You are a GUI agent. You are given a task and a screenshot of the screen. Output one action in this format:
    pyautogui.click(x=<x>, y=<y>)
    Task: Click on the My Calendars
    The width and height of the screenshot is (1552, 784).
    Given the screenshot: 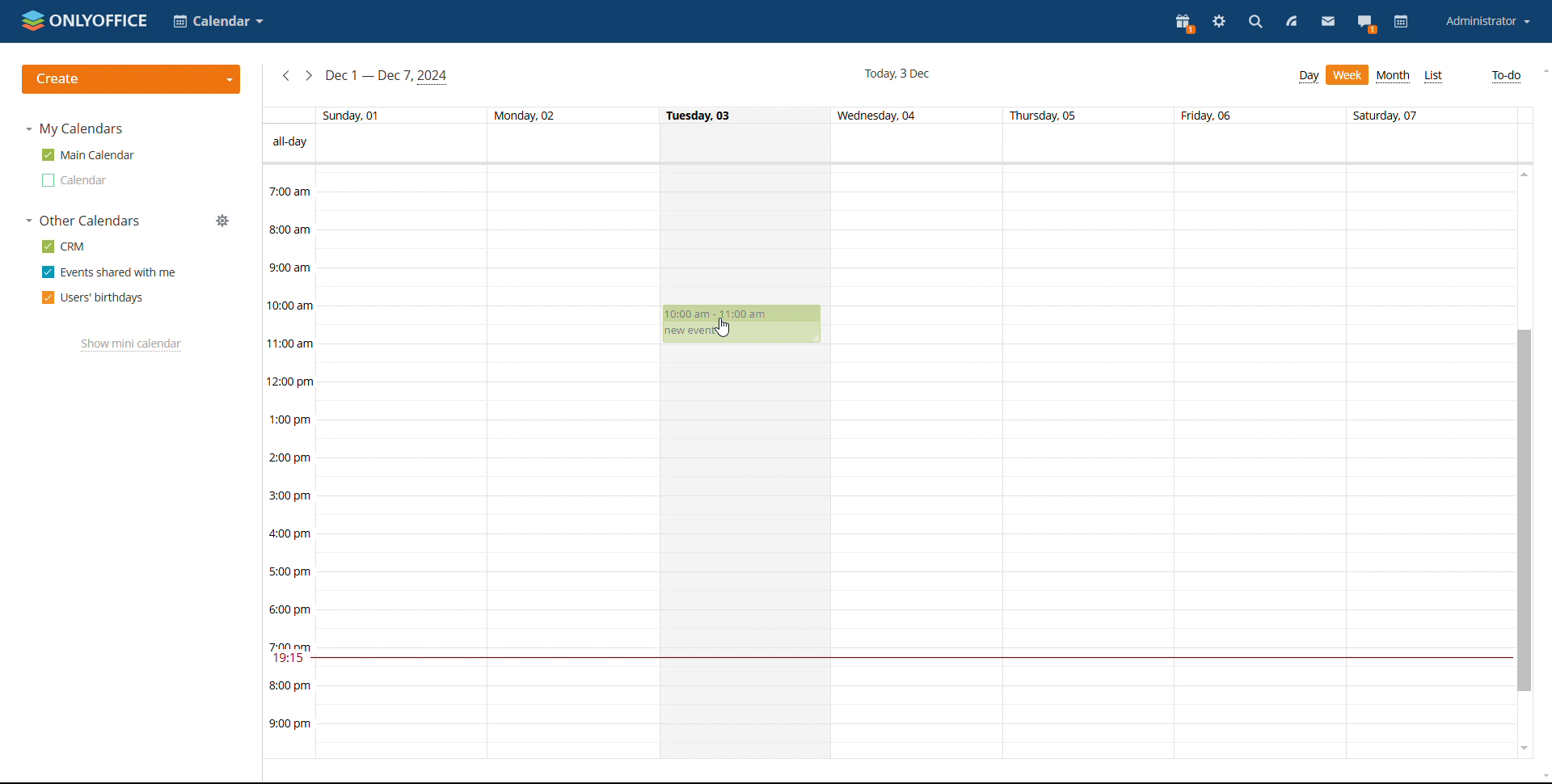 What is the action you would take?
    pyautogui.click(x=76, y=130)
    